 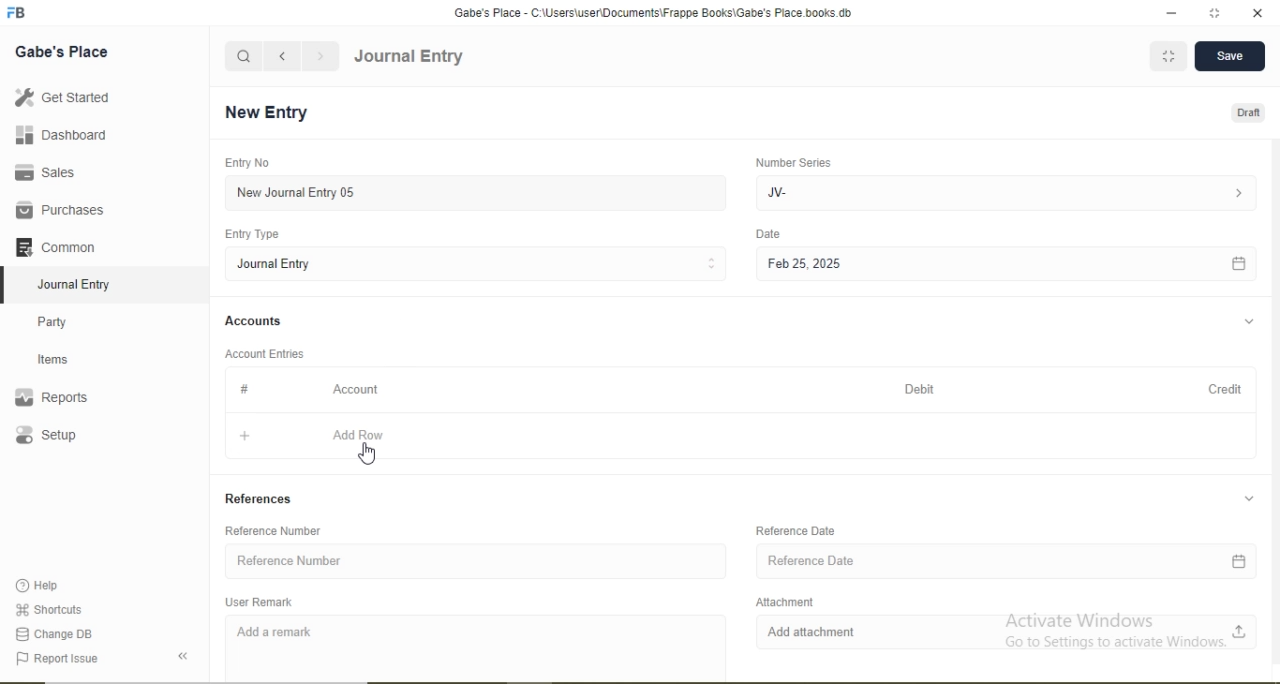 I want to click on Add a remark, so click(x=478, y=645).